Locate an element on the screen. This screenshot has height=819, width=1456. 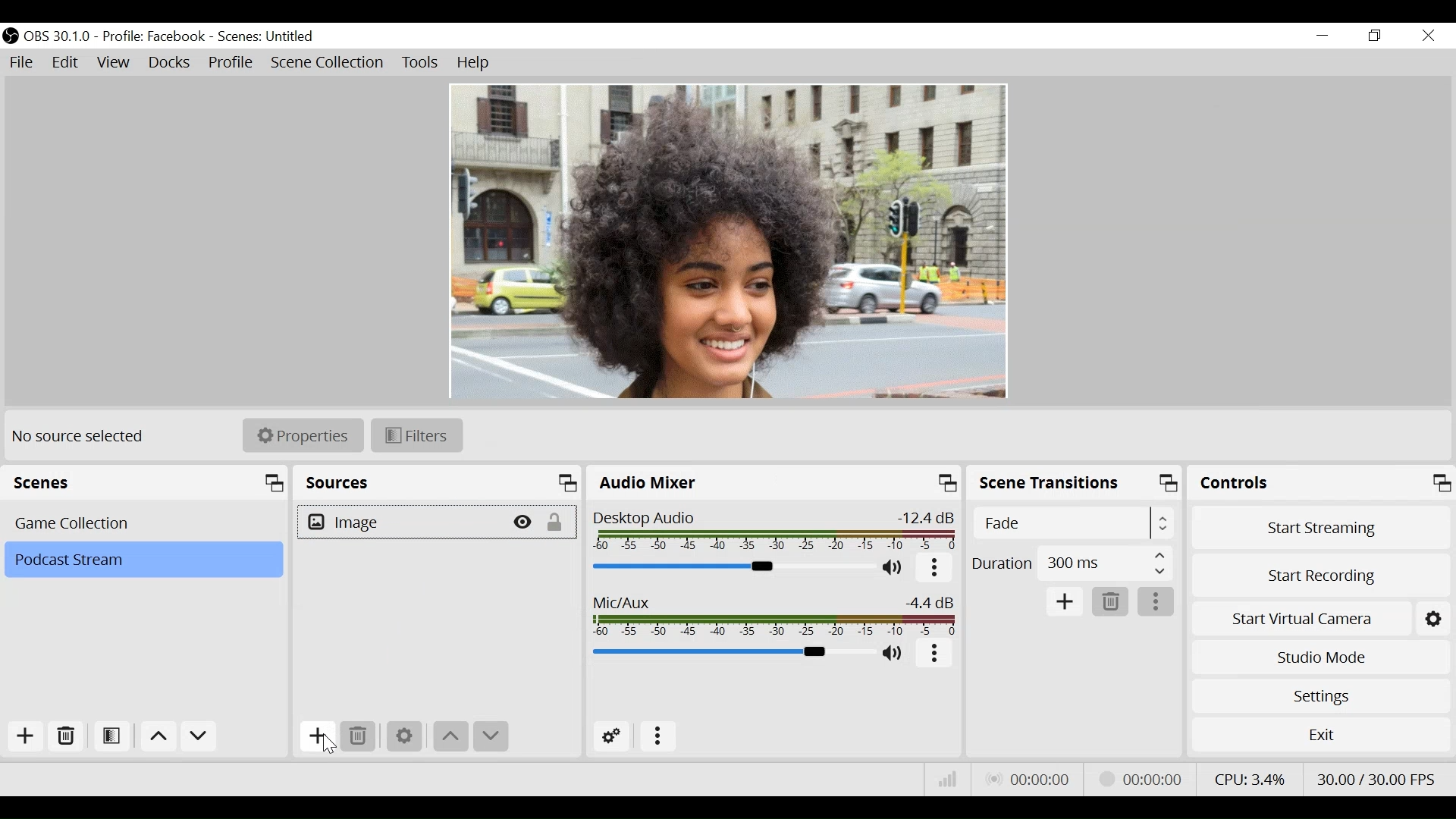
Studio Mode is located at coordinates (1321, 655).